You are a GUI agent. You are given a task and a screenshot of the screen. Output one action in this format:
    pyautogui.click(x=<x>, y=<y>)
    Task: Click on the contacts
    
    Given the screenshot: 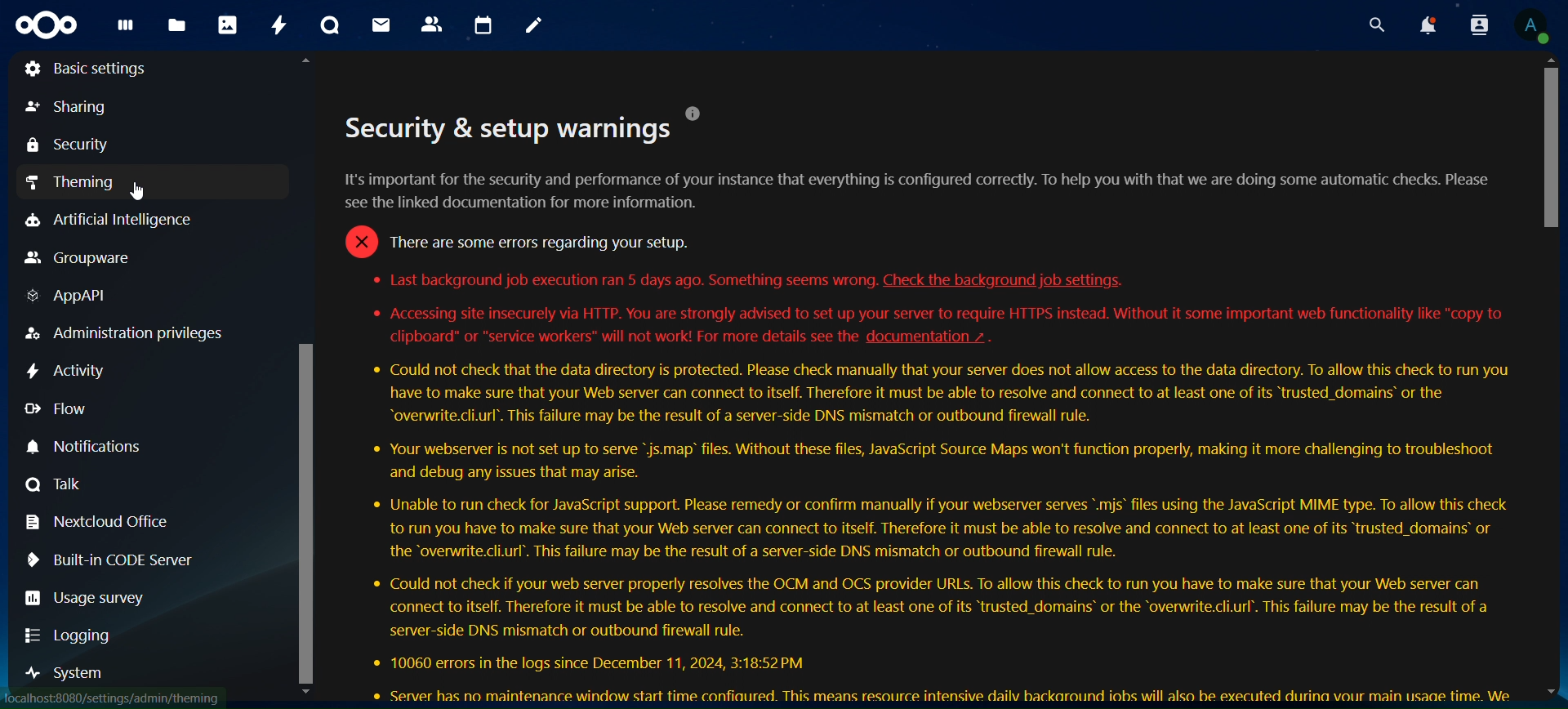 What is the action you would take?
    pyautogui.click(x=432, y=25)
    